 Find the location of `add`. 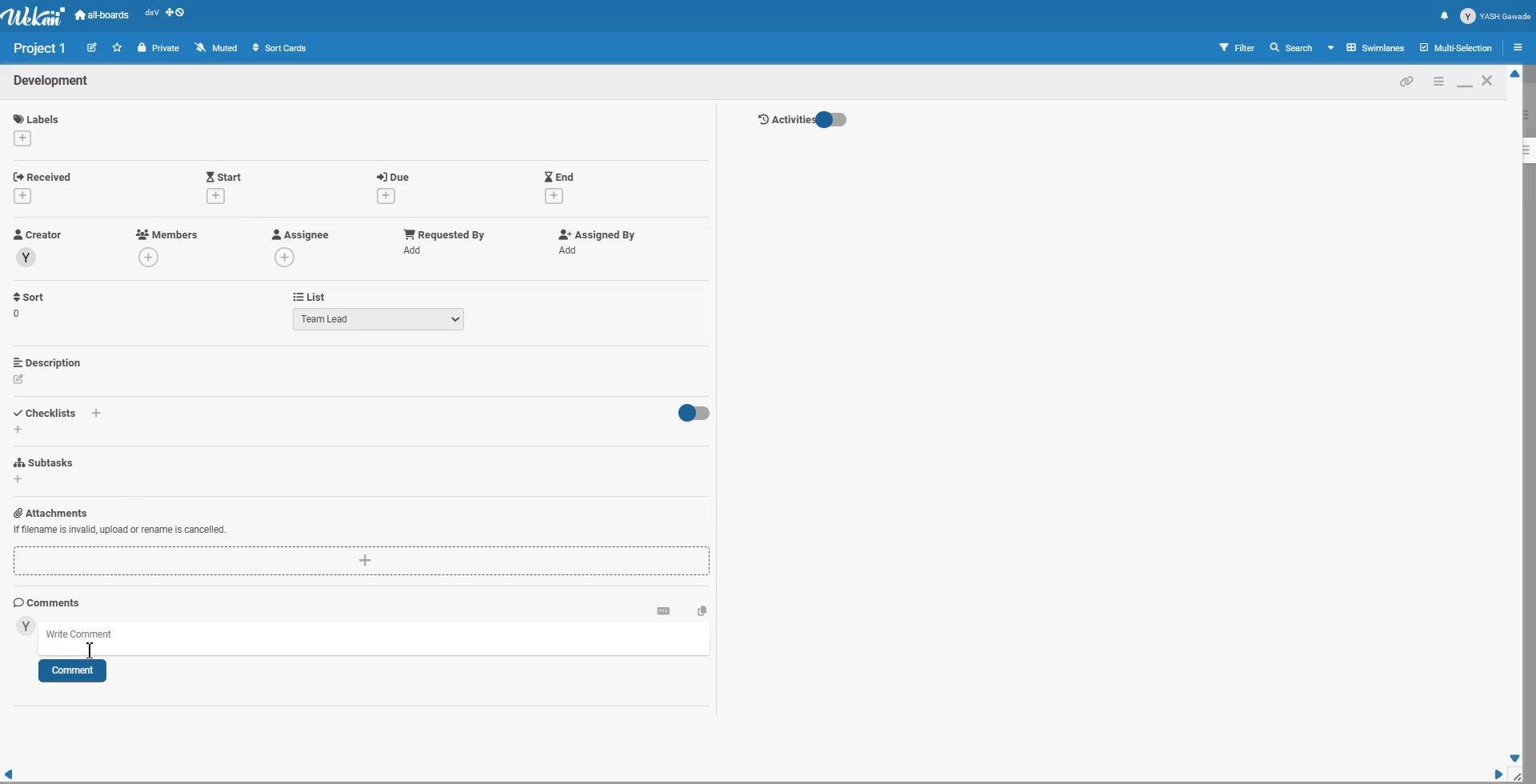

add is located at coordinates (19, 480).